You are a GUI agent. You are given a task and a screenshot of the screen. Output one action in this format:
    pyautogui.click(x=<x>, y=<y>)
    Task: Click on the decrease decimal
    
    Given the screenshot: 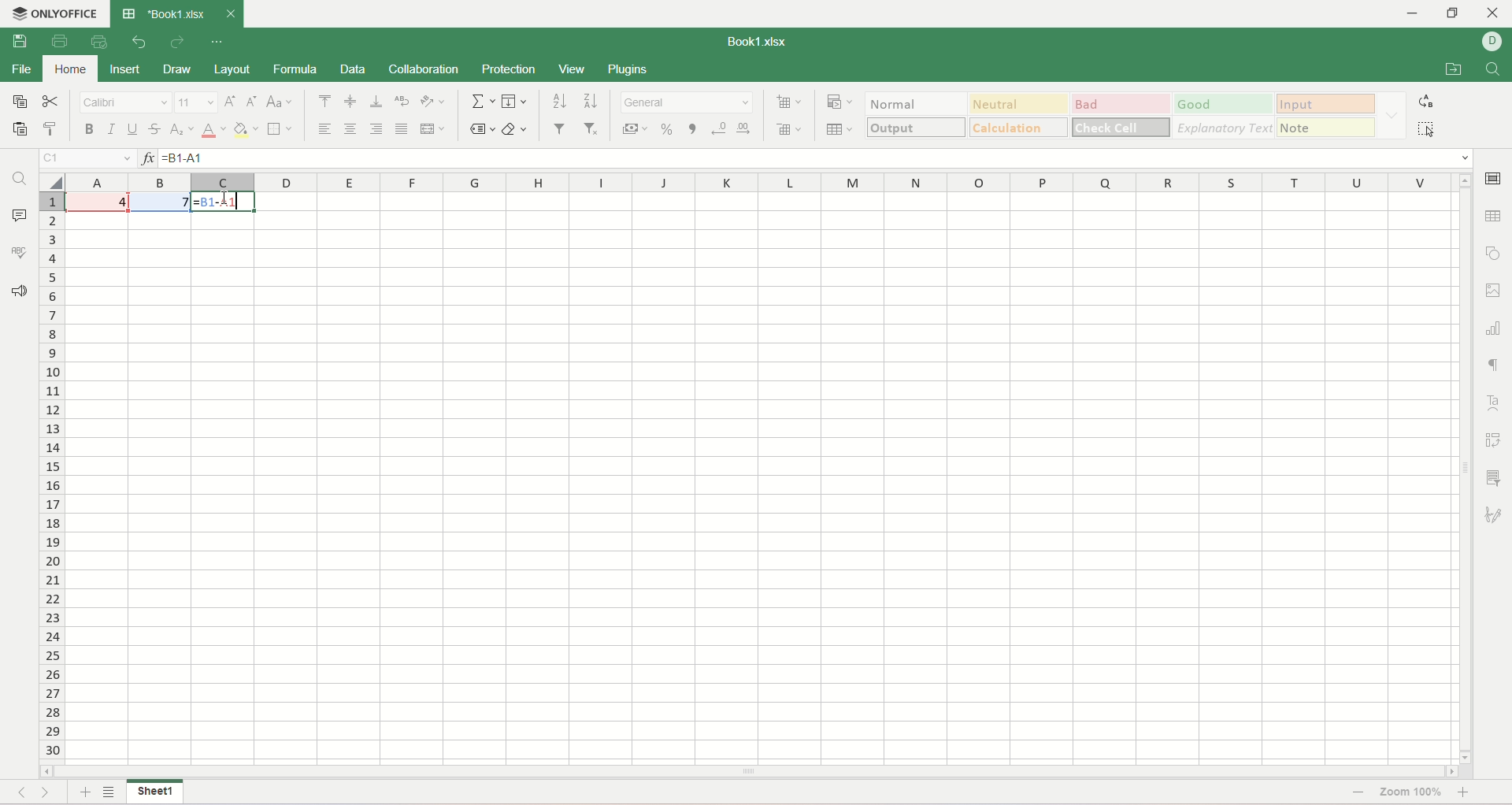 What is the action you would take?
    pyautogui.click(x=720, y=129)
    